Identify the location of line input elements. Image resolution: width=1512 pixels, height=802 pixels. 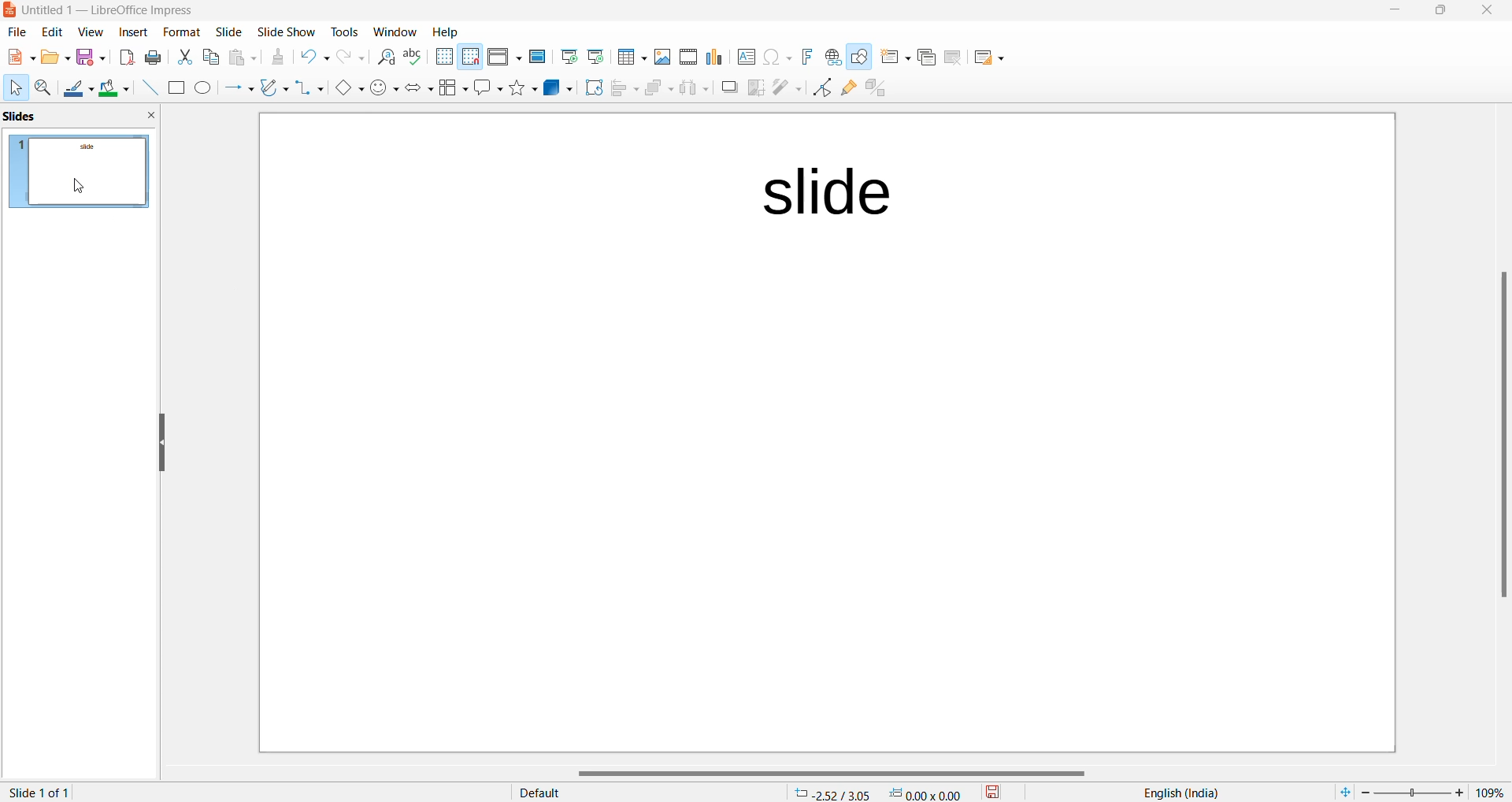
(148, 88).